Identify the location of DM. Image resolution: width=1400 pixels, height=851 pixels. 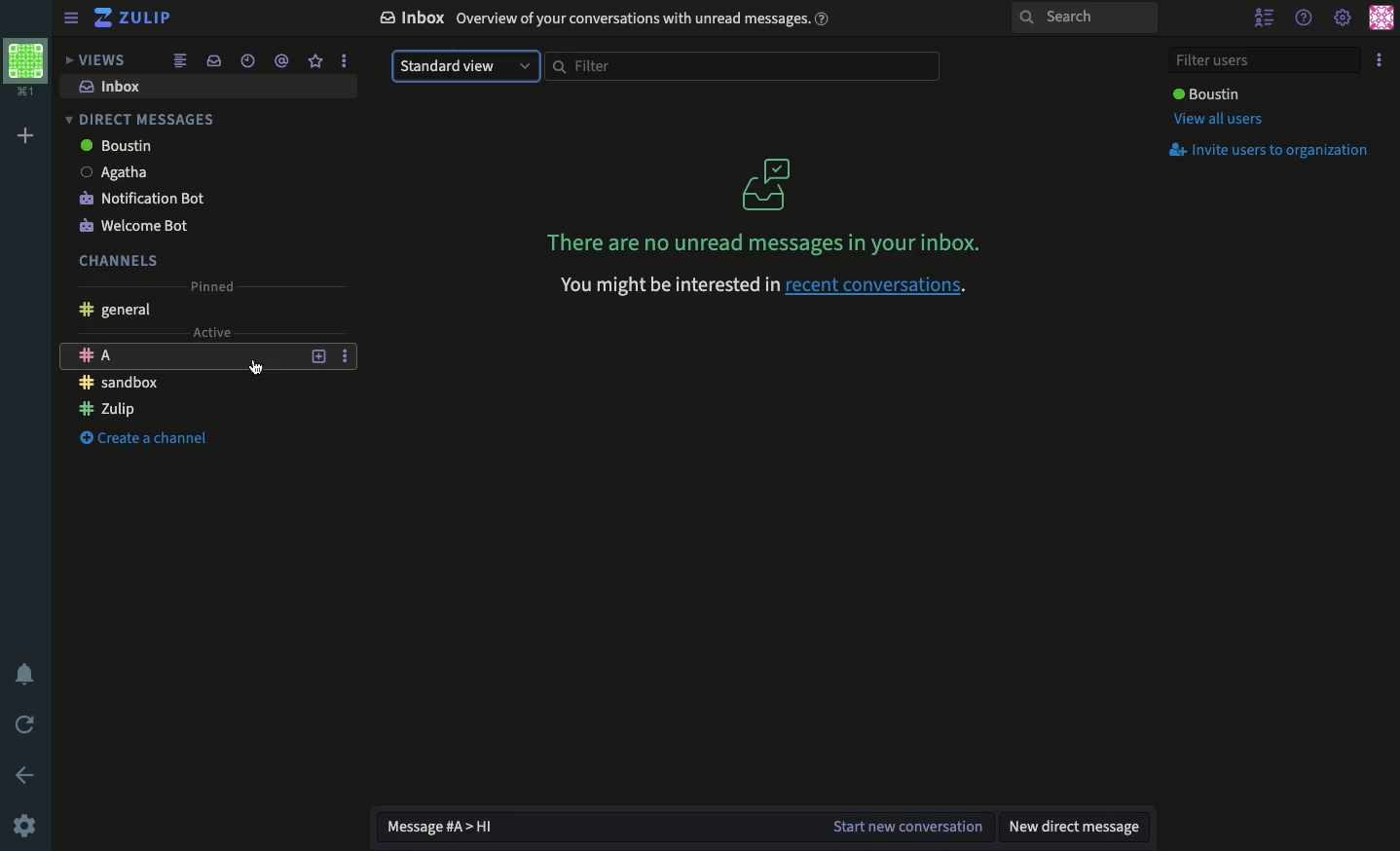
(139, 118).